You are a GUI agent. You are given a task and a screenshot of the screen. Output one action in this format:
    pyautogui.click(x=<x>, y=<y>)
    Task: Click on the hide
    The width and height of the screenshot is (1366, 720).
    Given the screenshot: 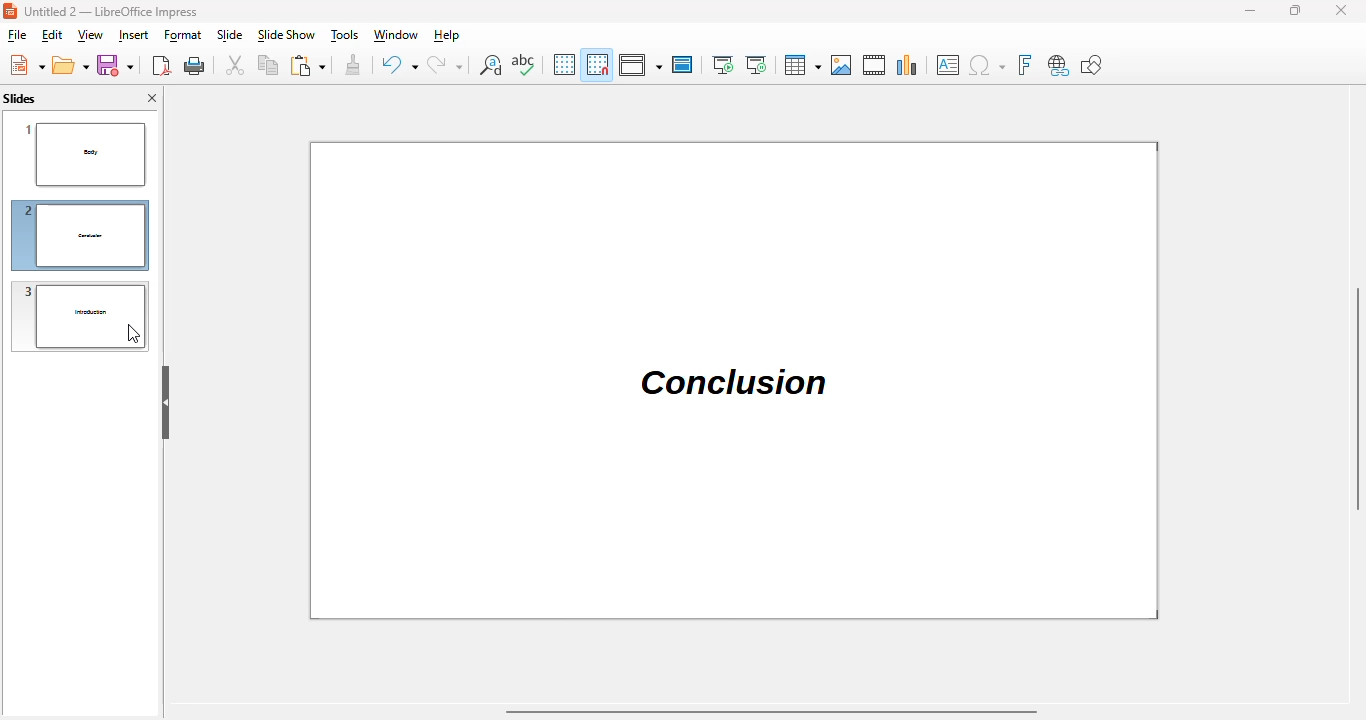 What is the action you would take?
    pyautogui.click(x=165, y=403)
    